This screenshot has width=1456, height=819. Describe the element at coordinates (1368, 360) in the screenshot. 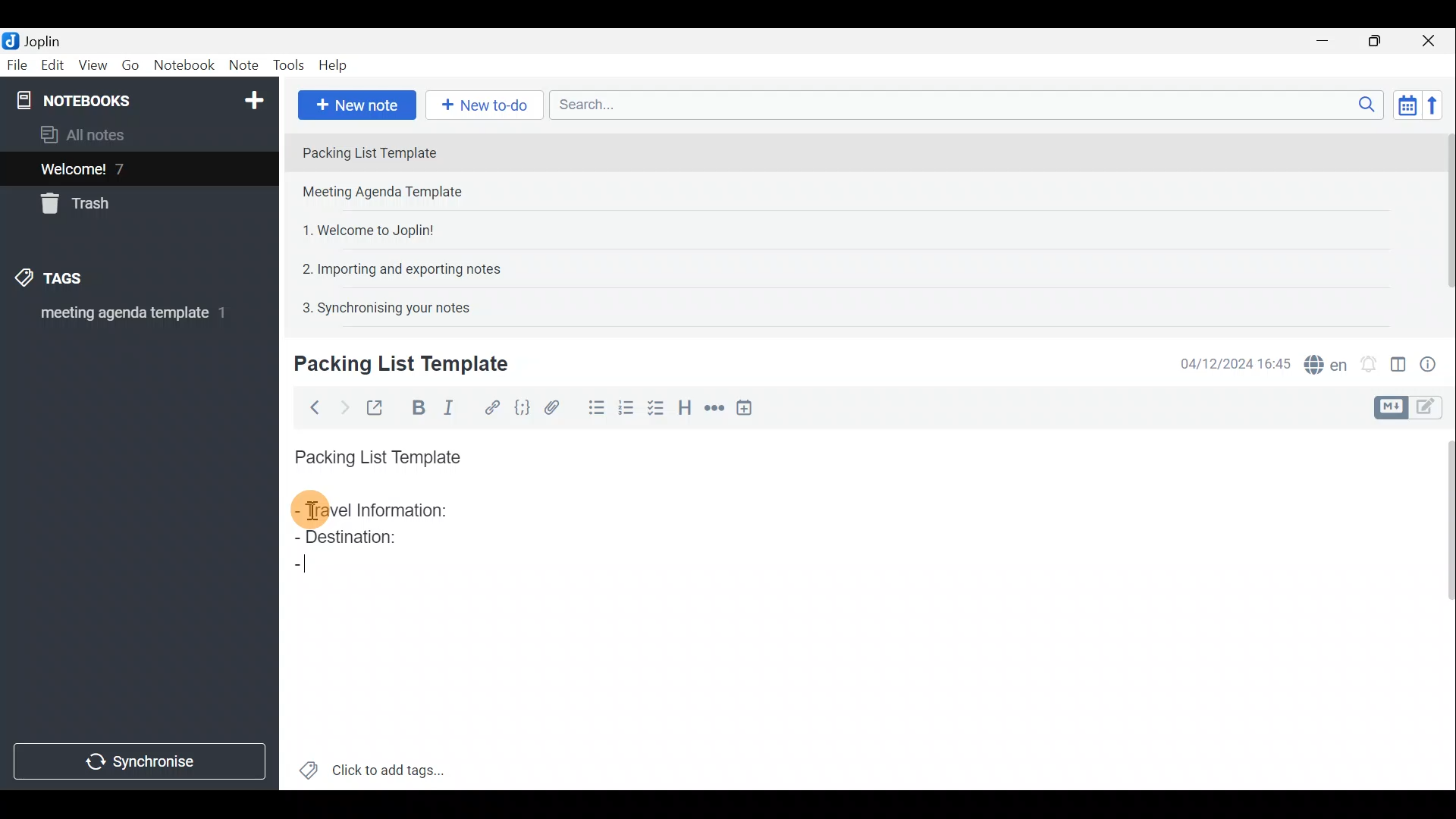

I see `Set alarm` at that location.